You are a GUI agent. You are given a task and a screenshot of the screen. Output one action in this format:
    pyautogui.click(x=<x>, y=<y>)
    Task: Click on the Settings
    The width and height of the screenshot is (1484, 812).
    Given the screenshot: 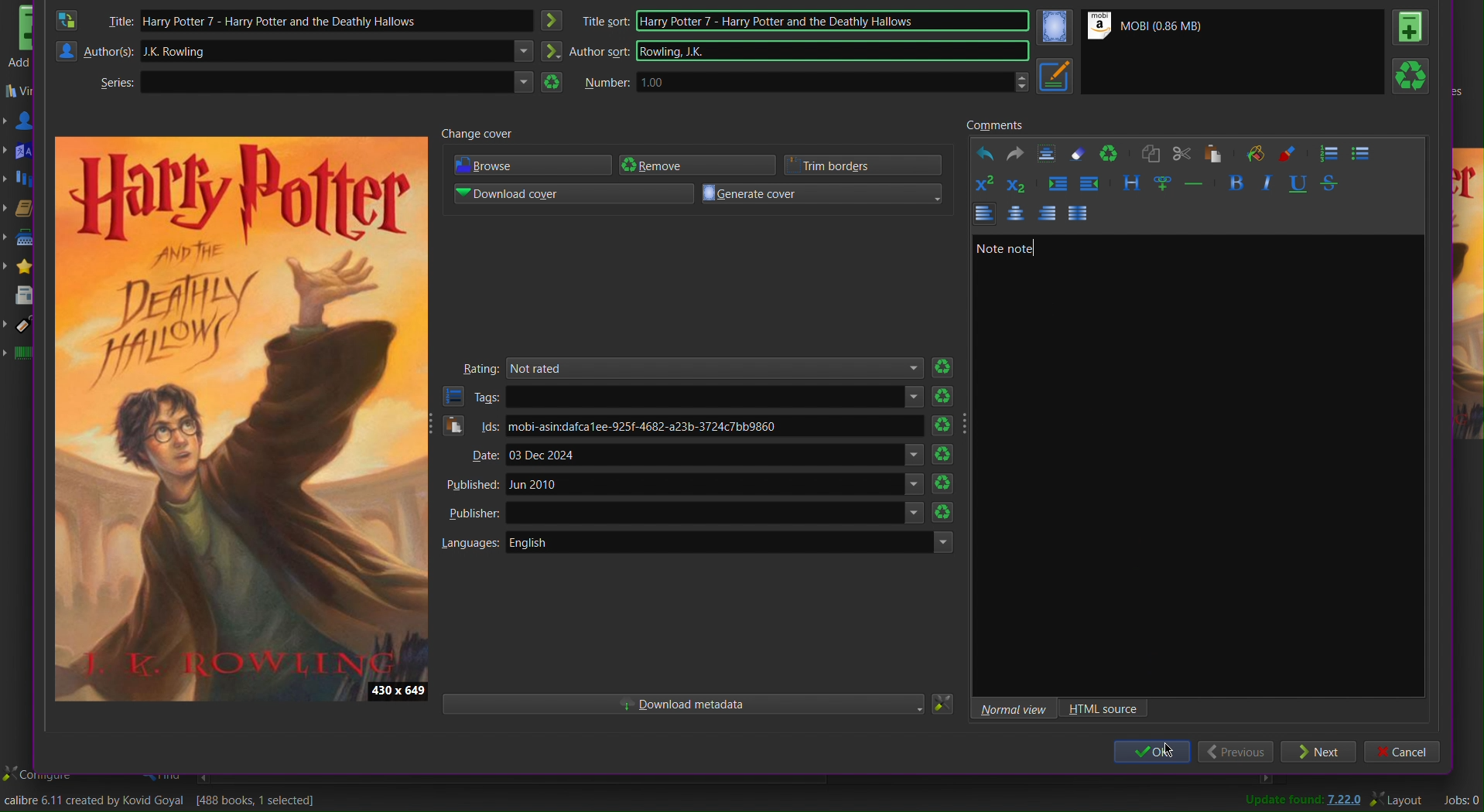 What is the action you would take?
    pyautogui.click(x=942, y=704)
    